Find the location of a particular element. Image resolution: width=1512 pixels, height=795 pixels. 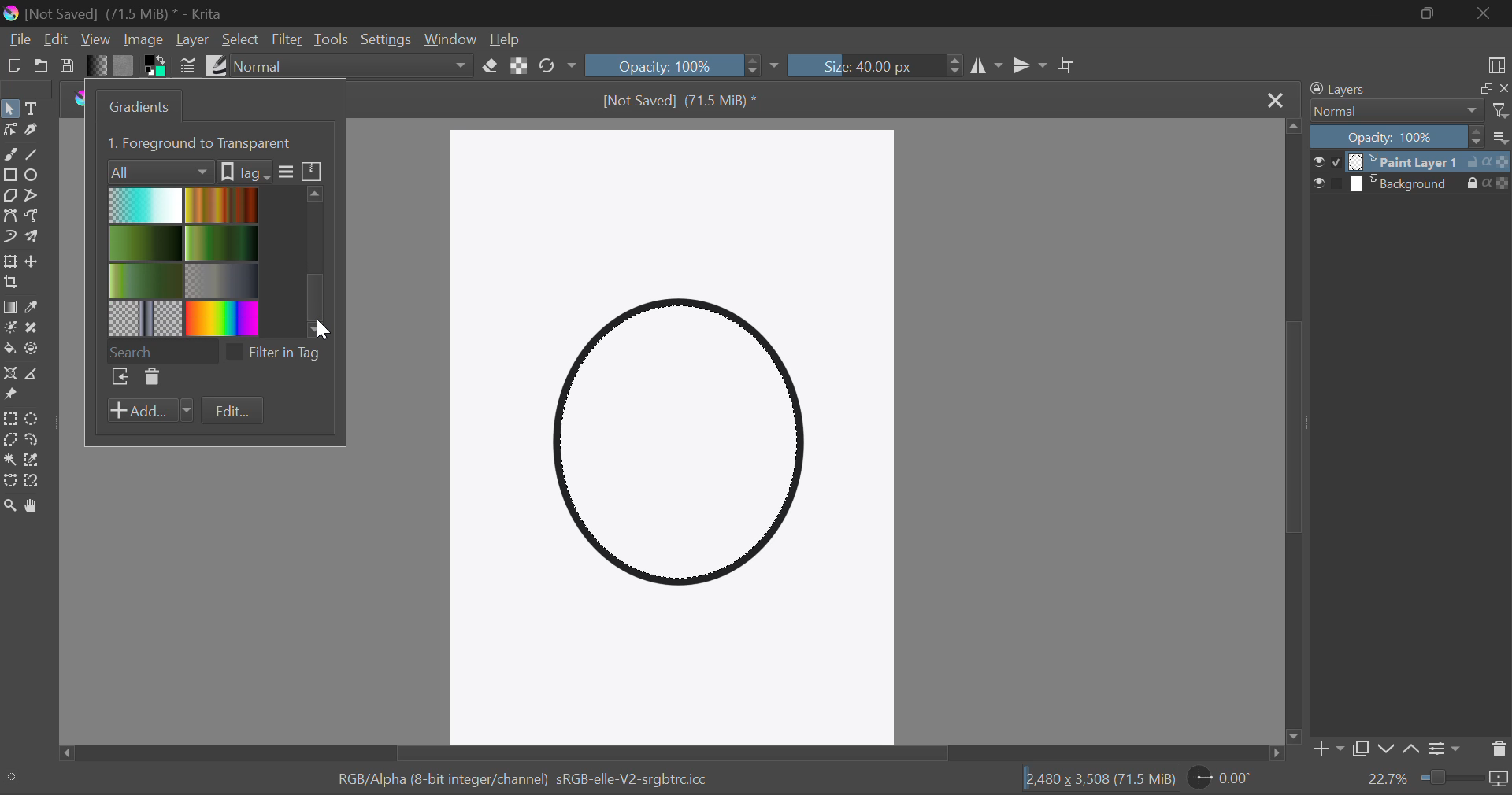

Blending Modes is located at coordinates (350, 65).